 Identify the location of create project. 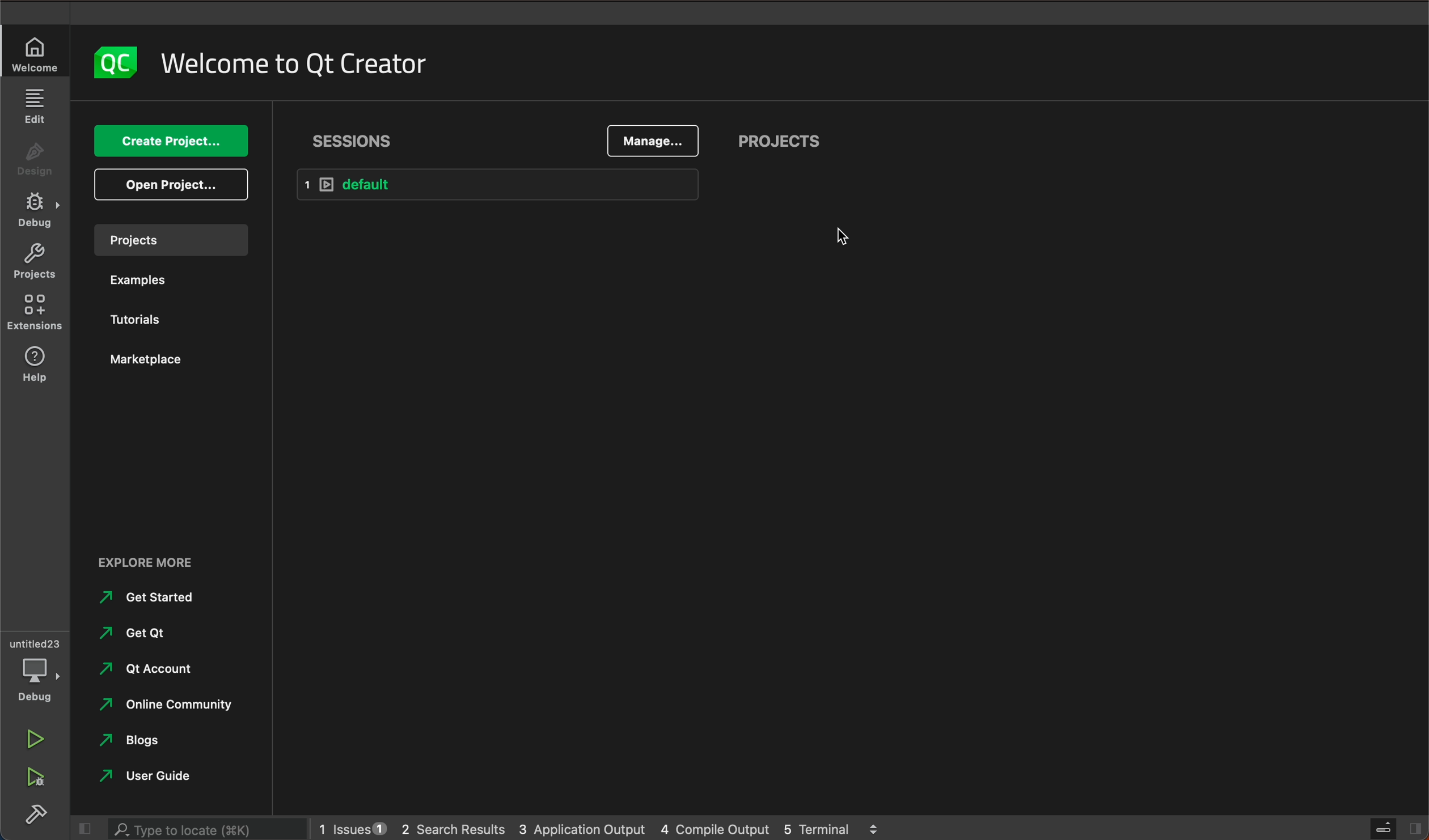
(168, 141).